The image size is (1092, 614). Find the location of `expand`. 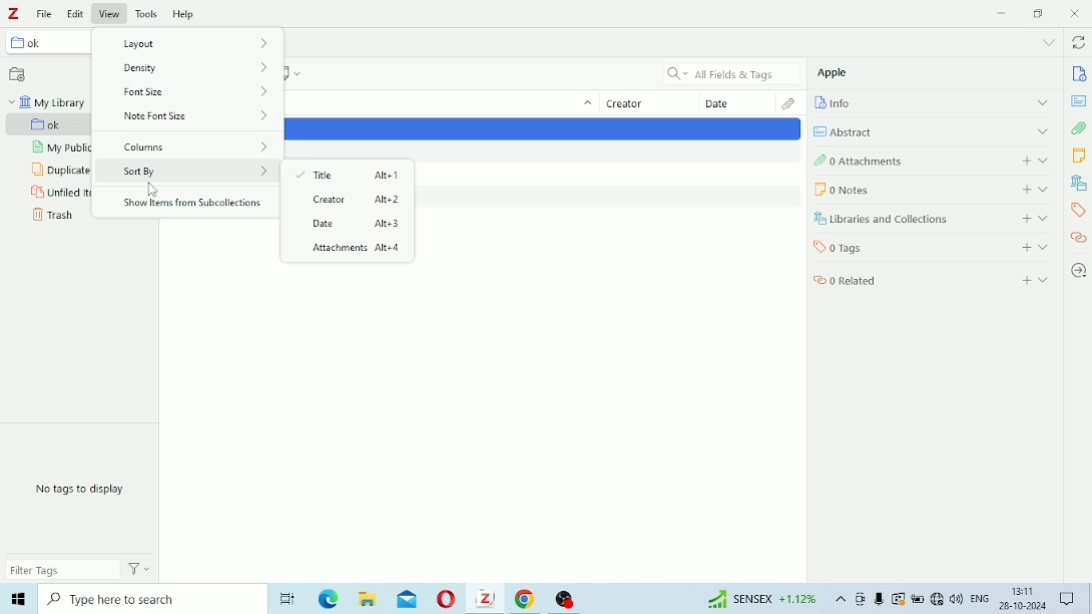

expand is located at coordinates (1039, 101).